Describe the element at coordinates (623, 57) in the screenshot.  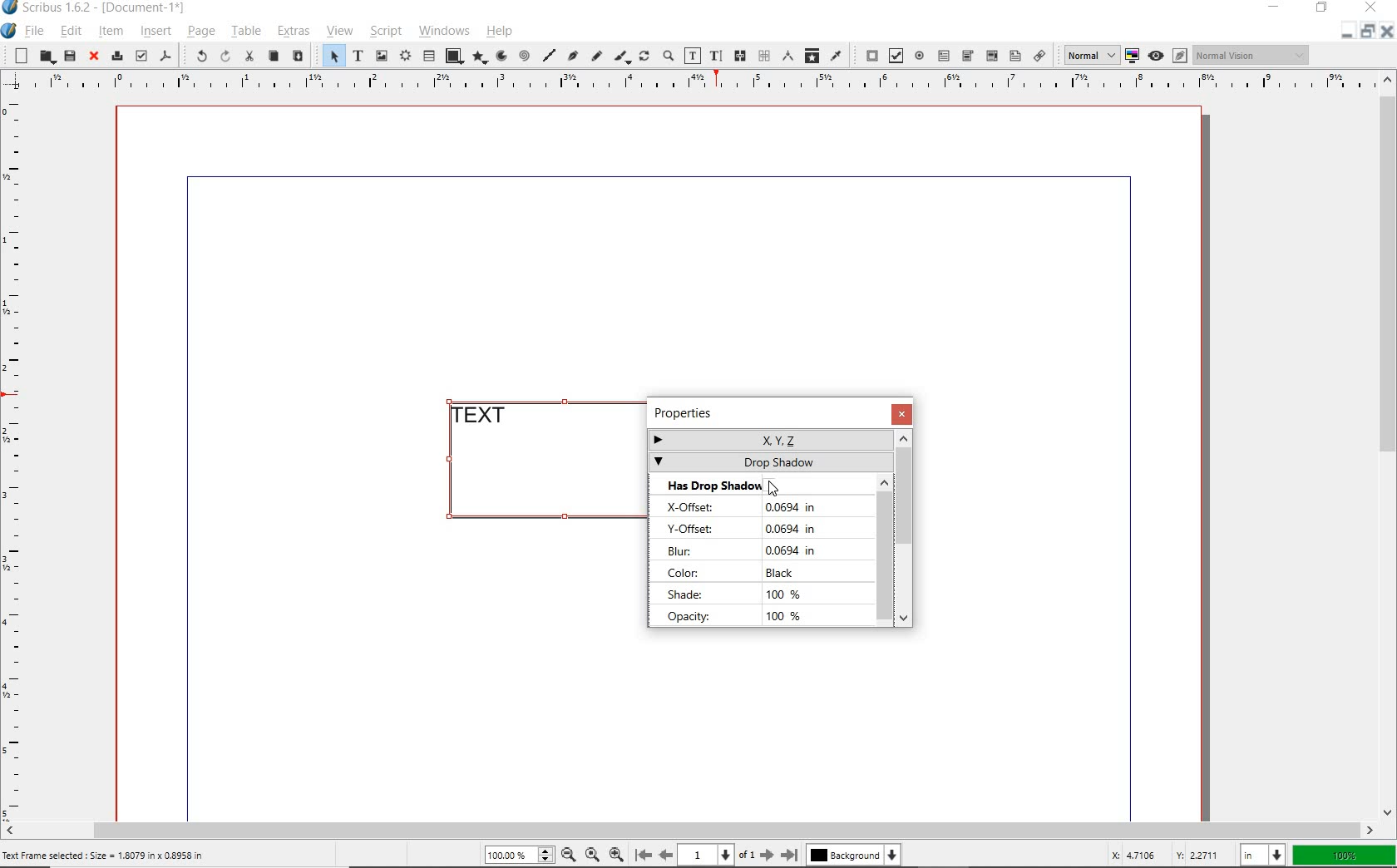
I see `calligraphic line` at that location.